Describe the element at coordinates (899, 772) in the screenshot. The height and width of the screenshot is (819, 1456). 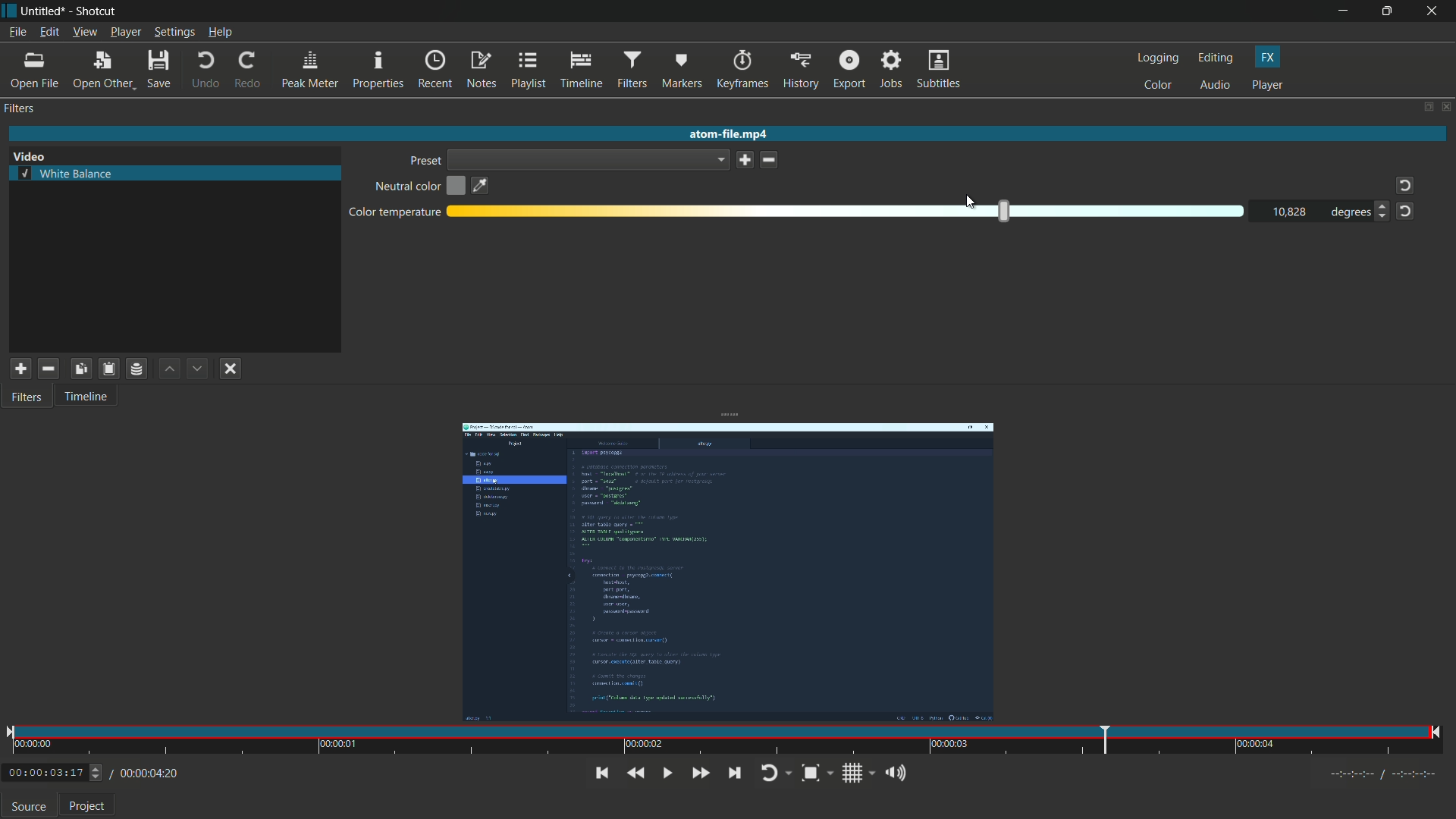
I see `show volume control` at that location.